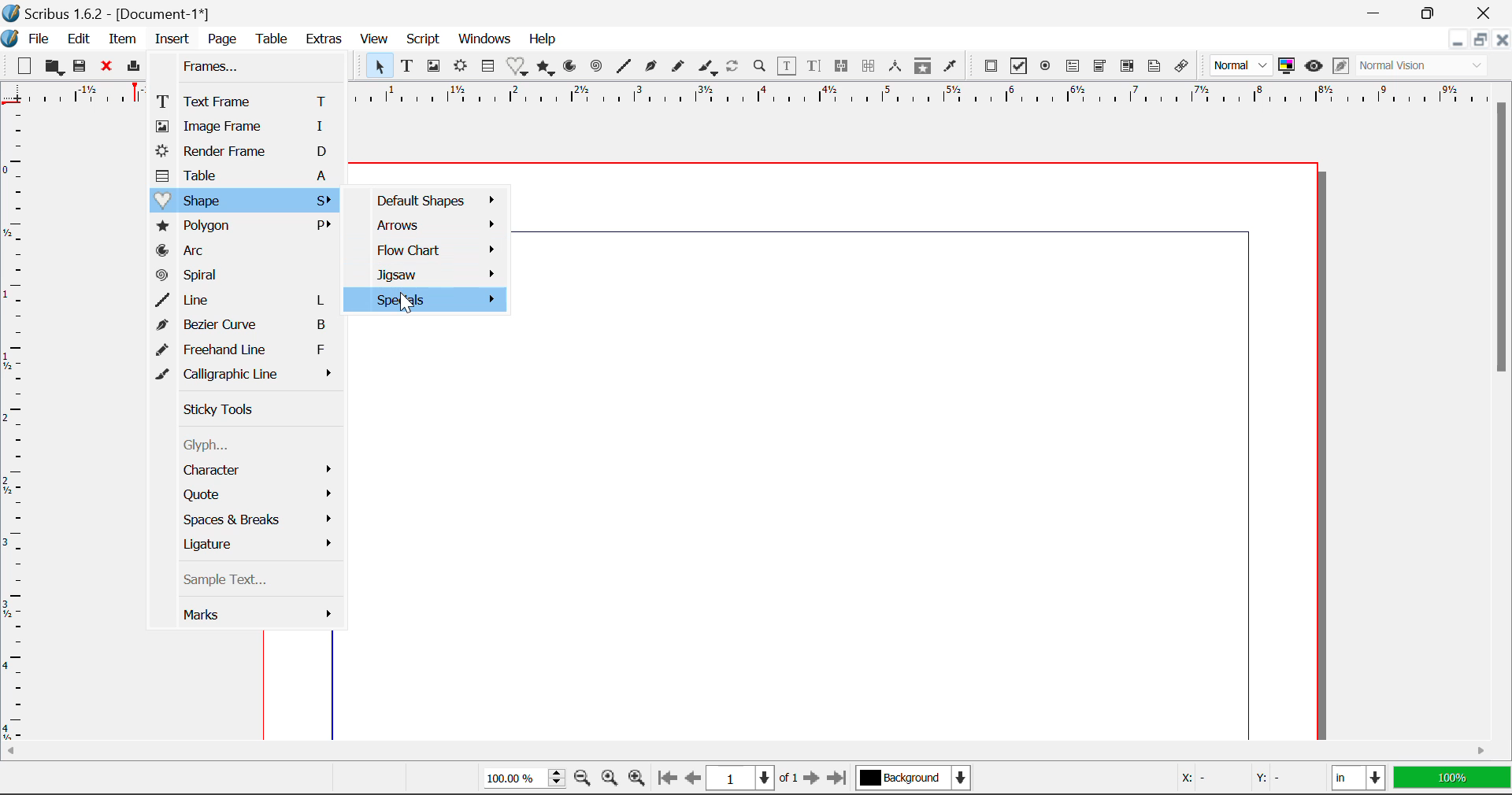  Describe the element at coordinates (1436, 13) in the screenshot. I see `Minimize` at that location.